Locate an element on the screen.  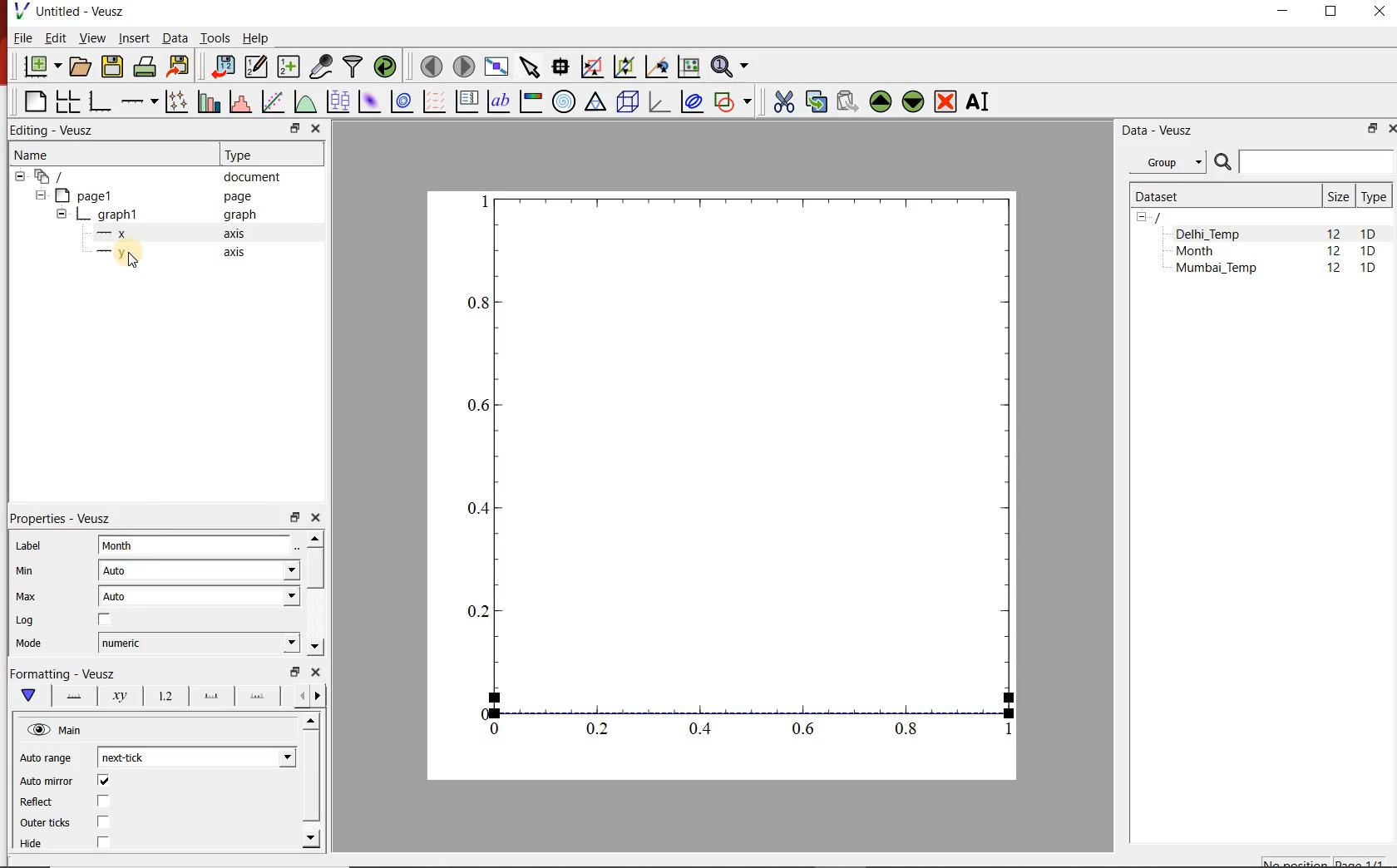
12 is located at coordinates (1335, 270).